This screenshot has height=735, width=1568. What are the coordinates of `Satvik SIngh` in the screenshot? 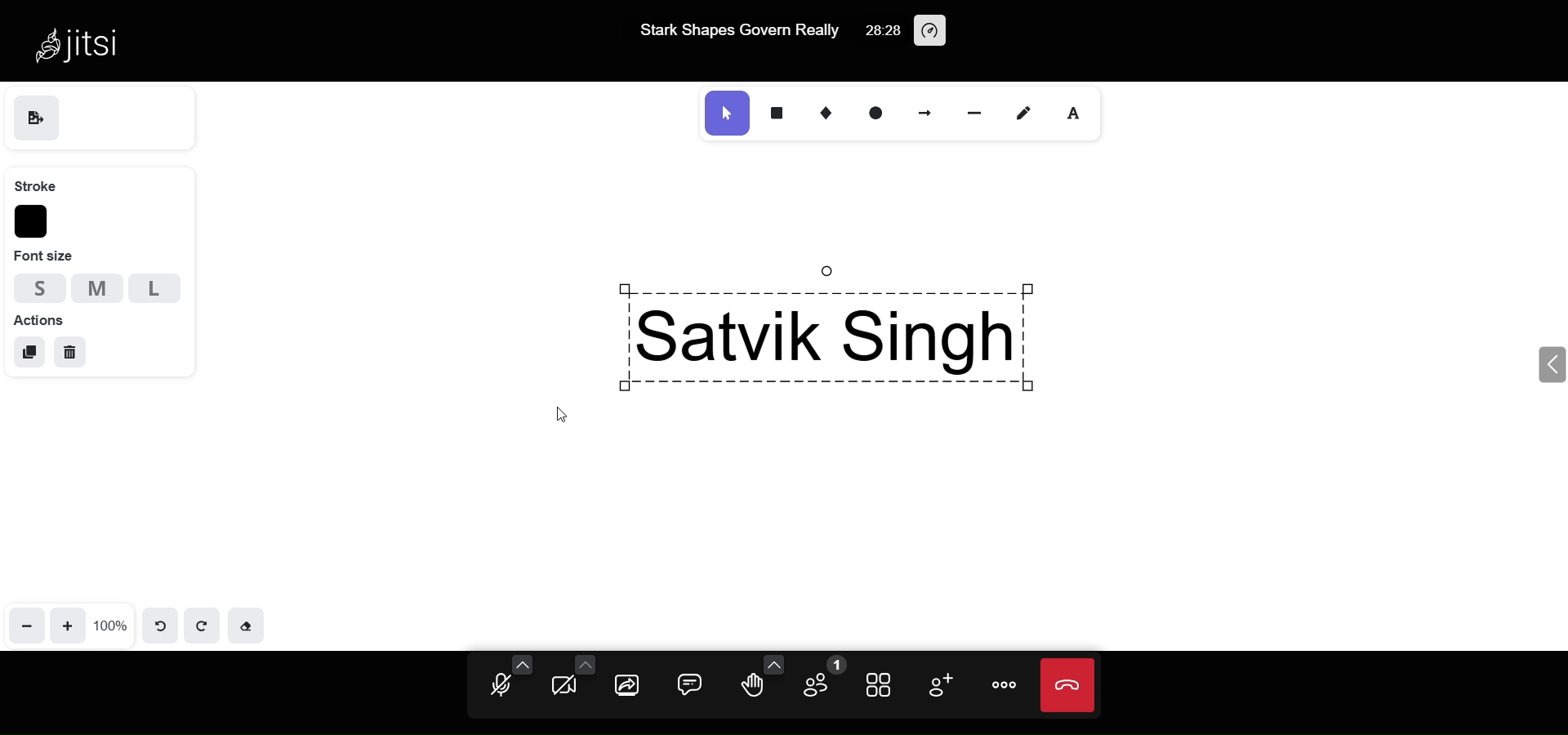 It's located at (835, 334).